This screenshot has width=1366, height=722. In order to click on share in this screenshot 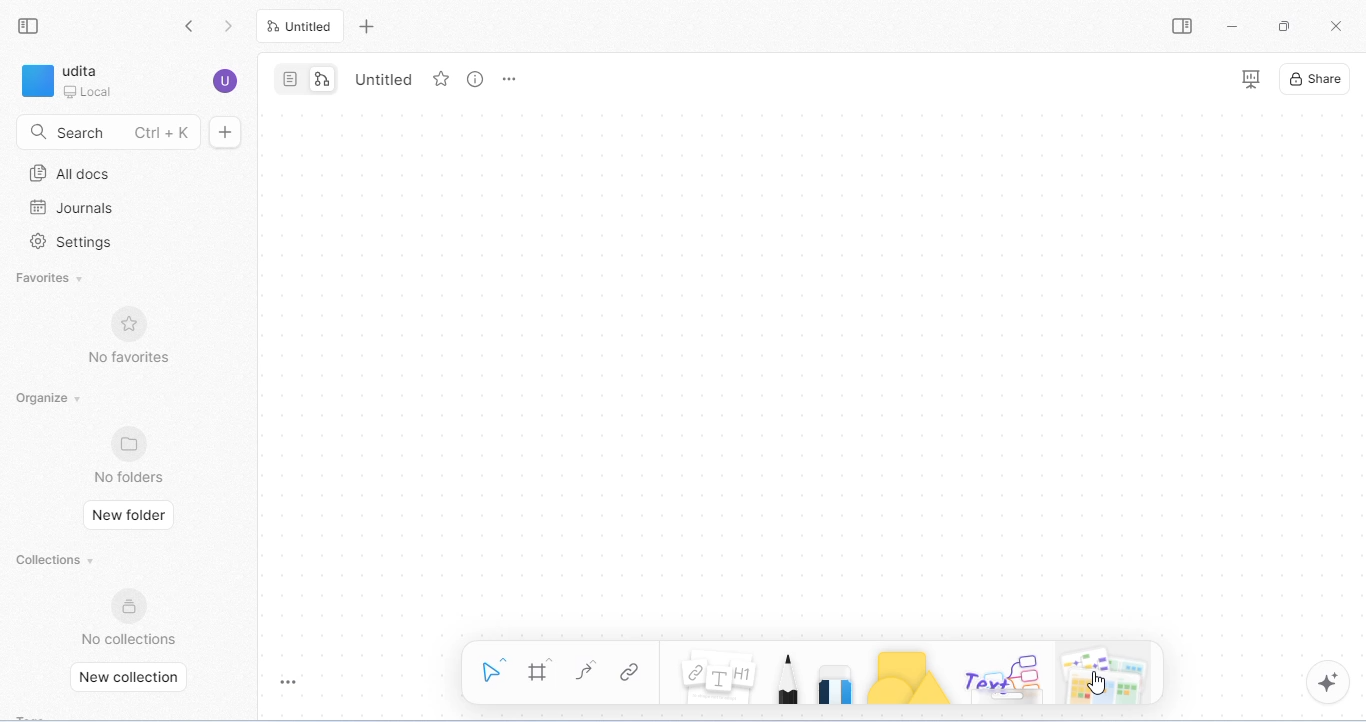, I will do `click(1315, 78)`.